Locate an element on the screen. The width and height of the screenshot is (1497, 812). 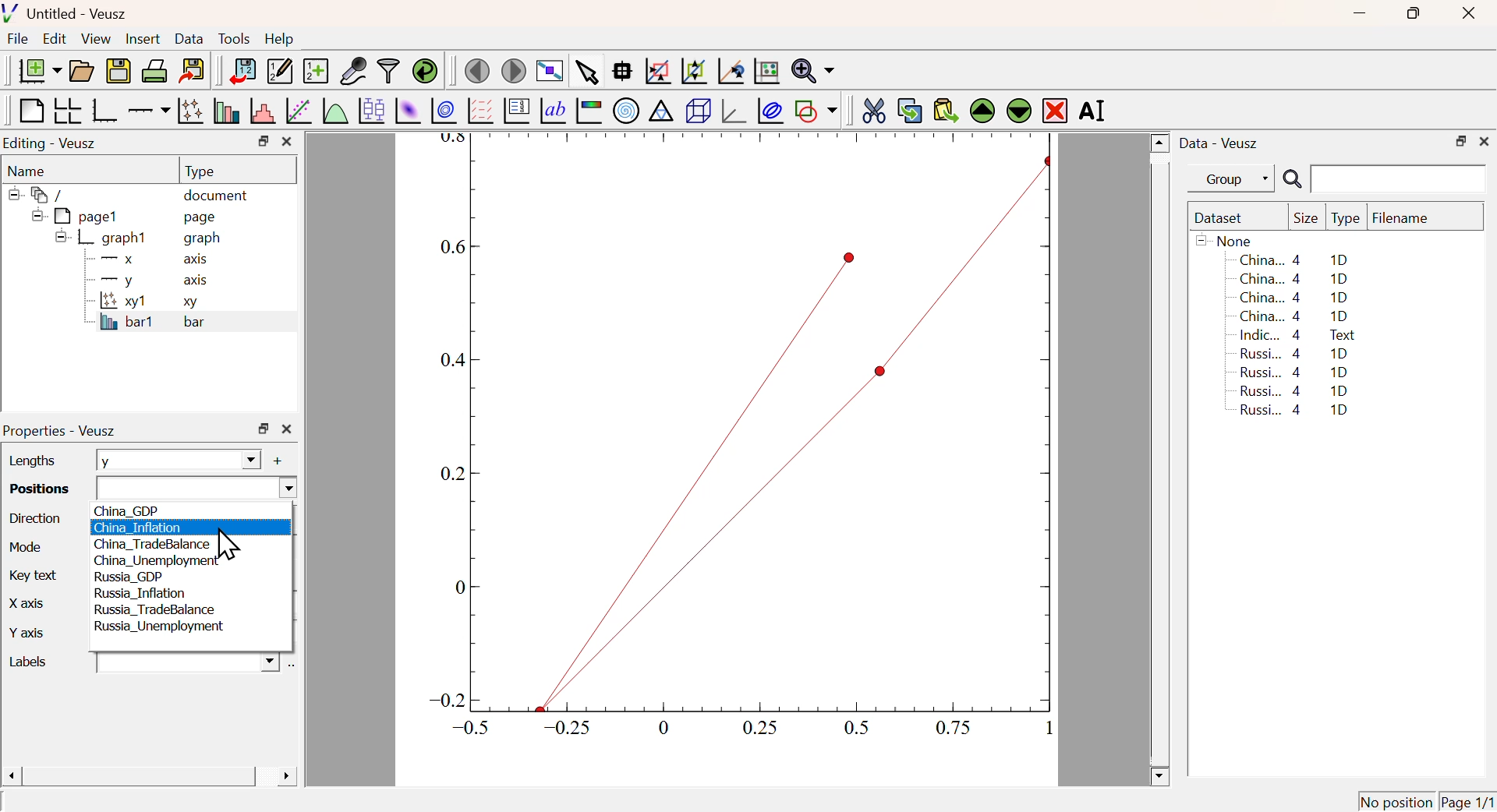
Dropdown is located at coordinates (179, 661).